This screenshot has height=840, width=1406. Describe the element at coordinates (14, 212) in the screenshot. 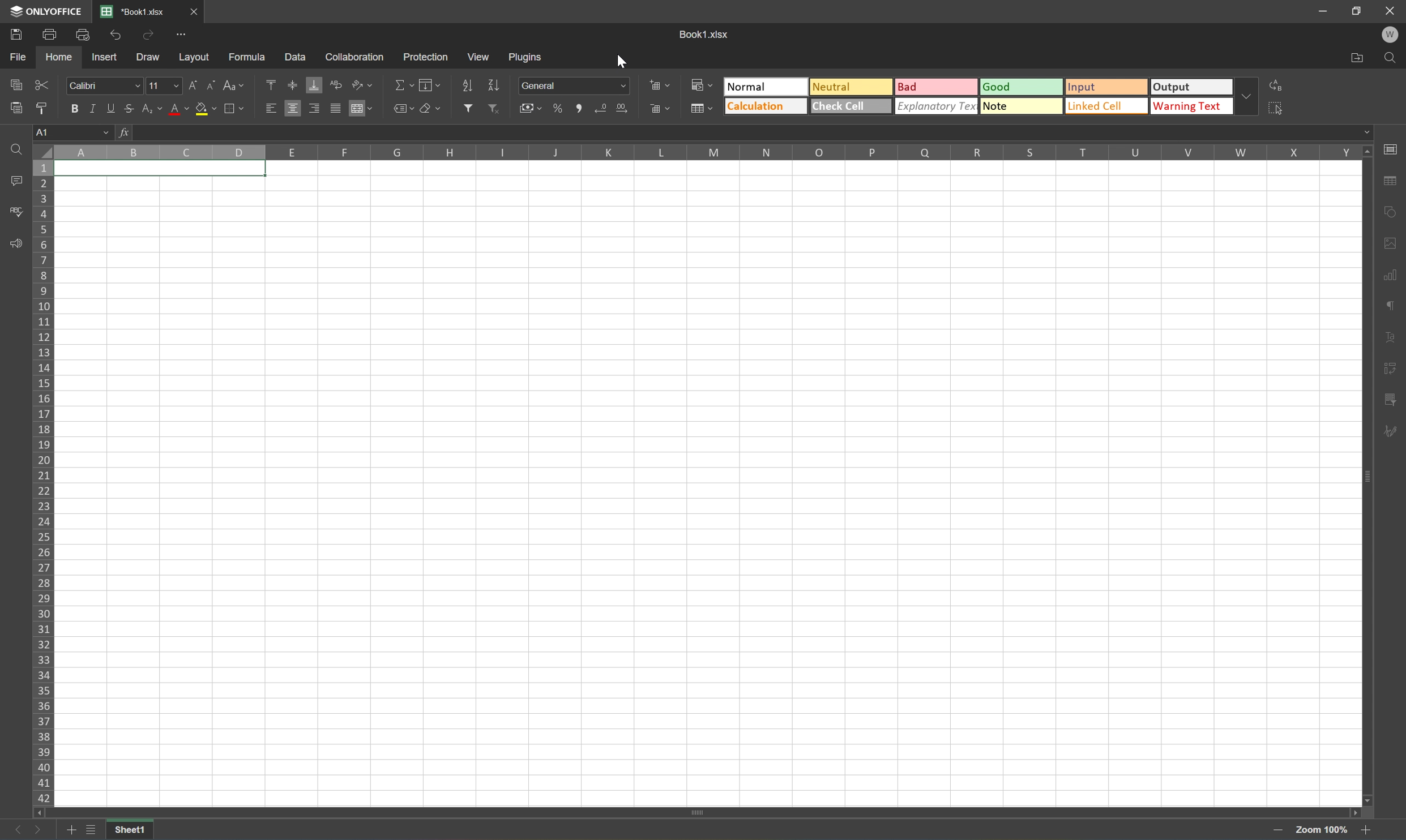

I see `Spell checking` at that location.